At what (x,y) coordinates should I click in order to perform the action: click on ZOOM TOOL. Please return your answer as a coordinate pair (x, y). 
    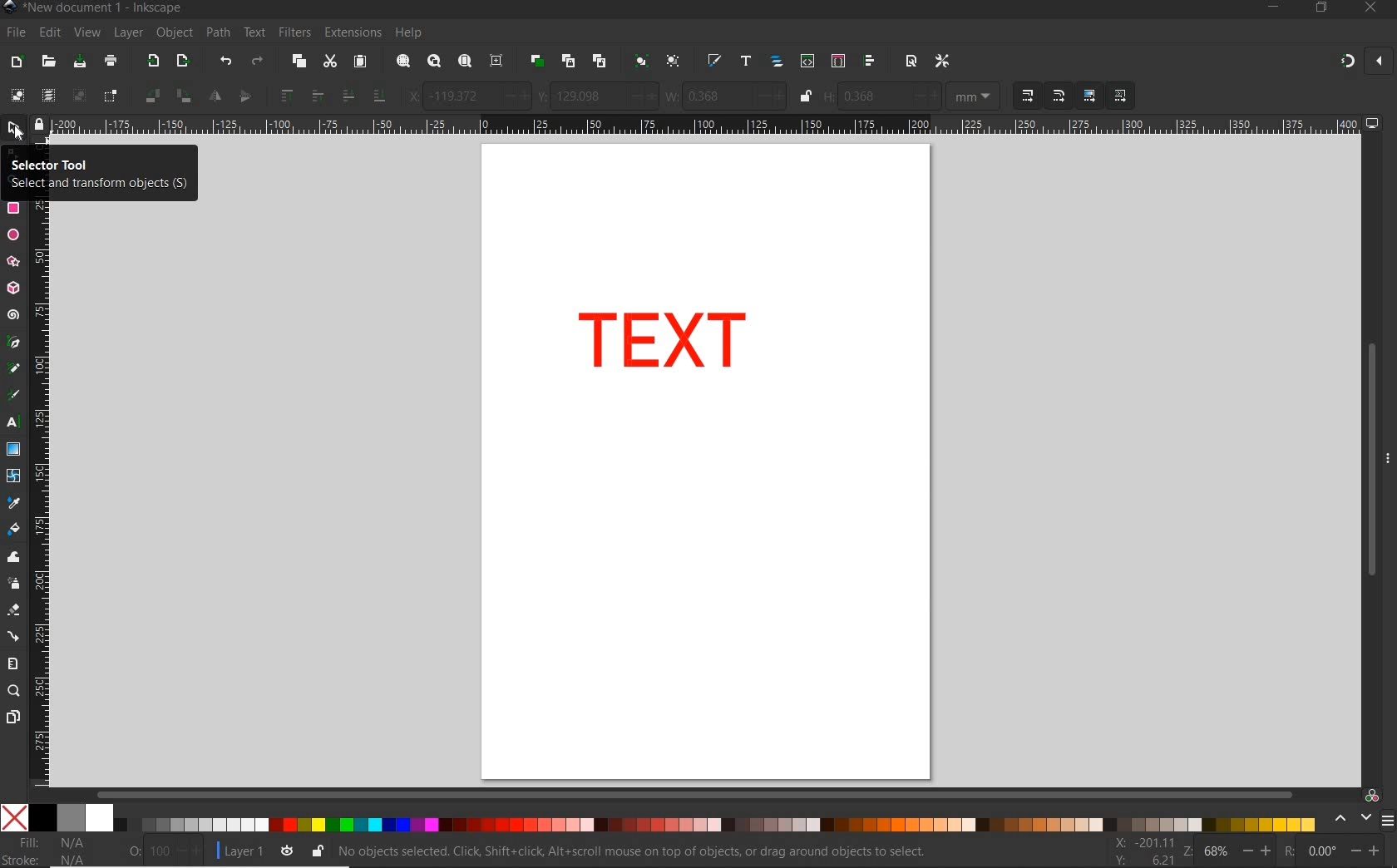
    Looking at the image, I should click on (14, 692).